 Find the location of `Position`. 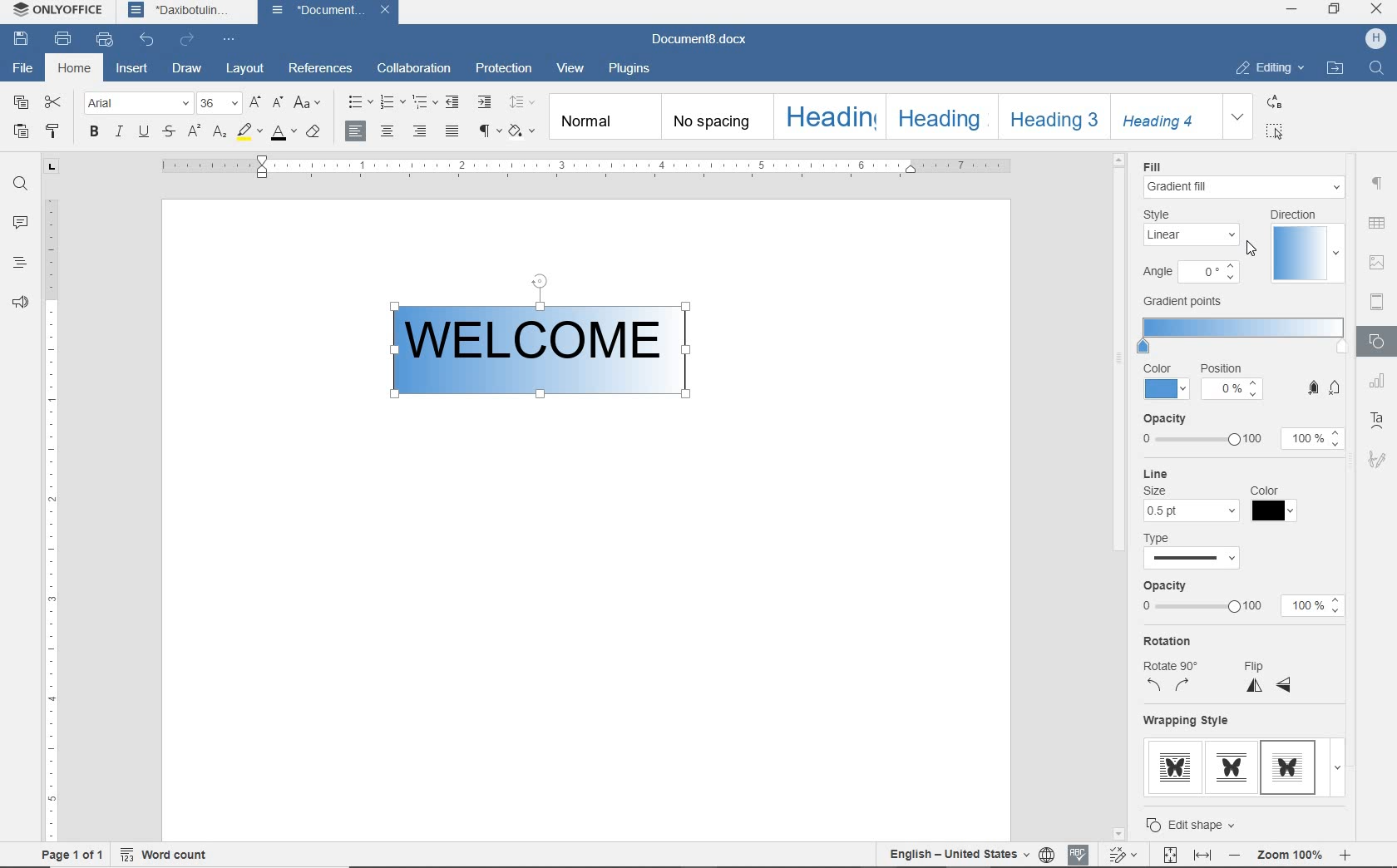

Position is located at coordinates (1232, 367).